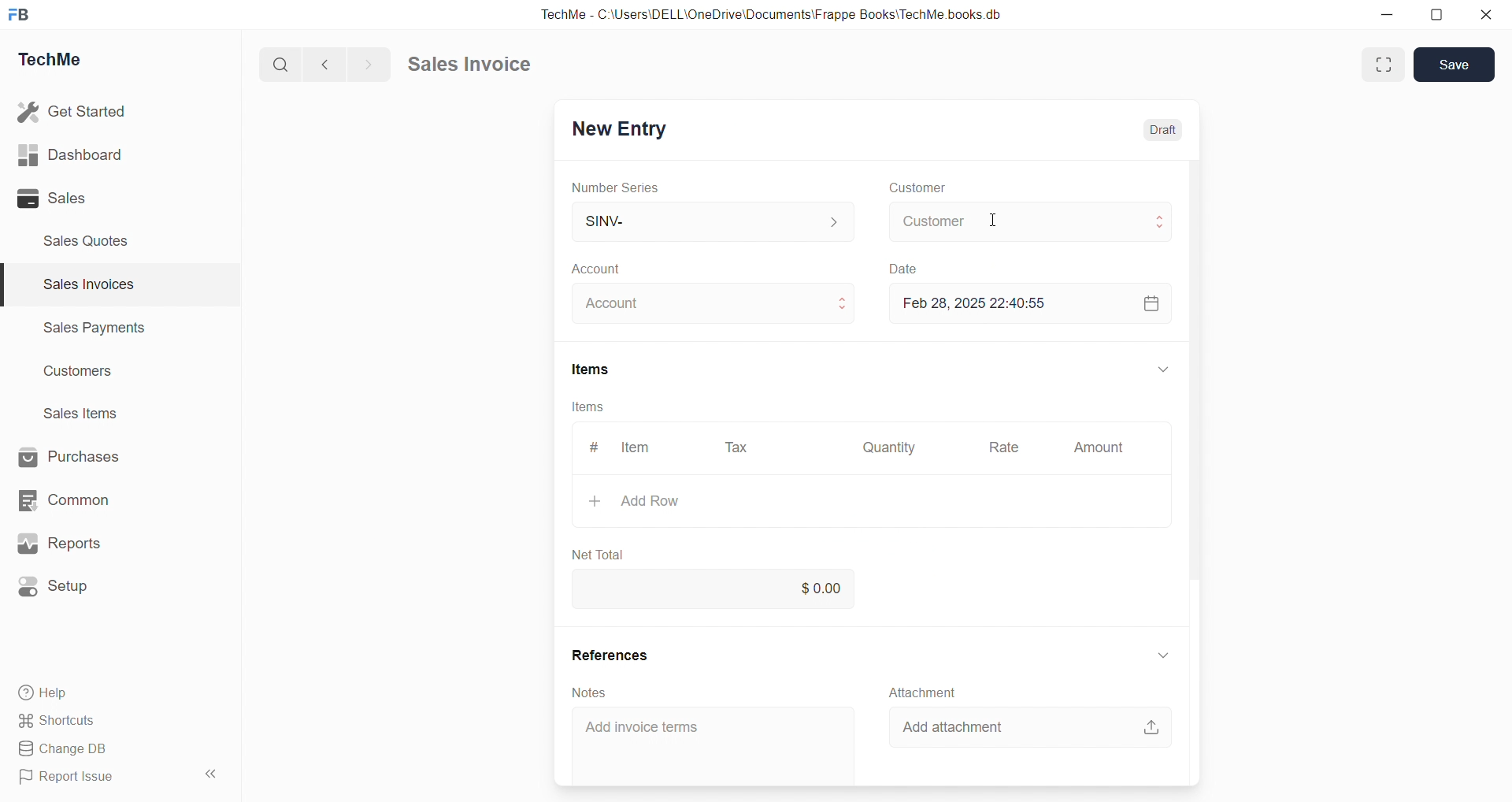 Image resolution: width=1512 pixels, height=802 pixels. Describe the element at coordinates (775, 14) in the screenshot. I see `TechMe - C:\Users\DELL\OneDrive\Documents\Frappe Books'TechMe books db` at that location.